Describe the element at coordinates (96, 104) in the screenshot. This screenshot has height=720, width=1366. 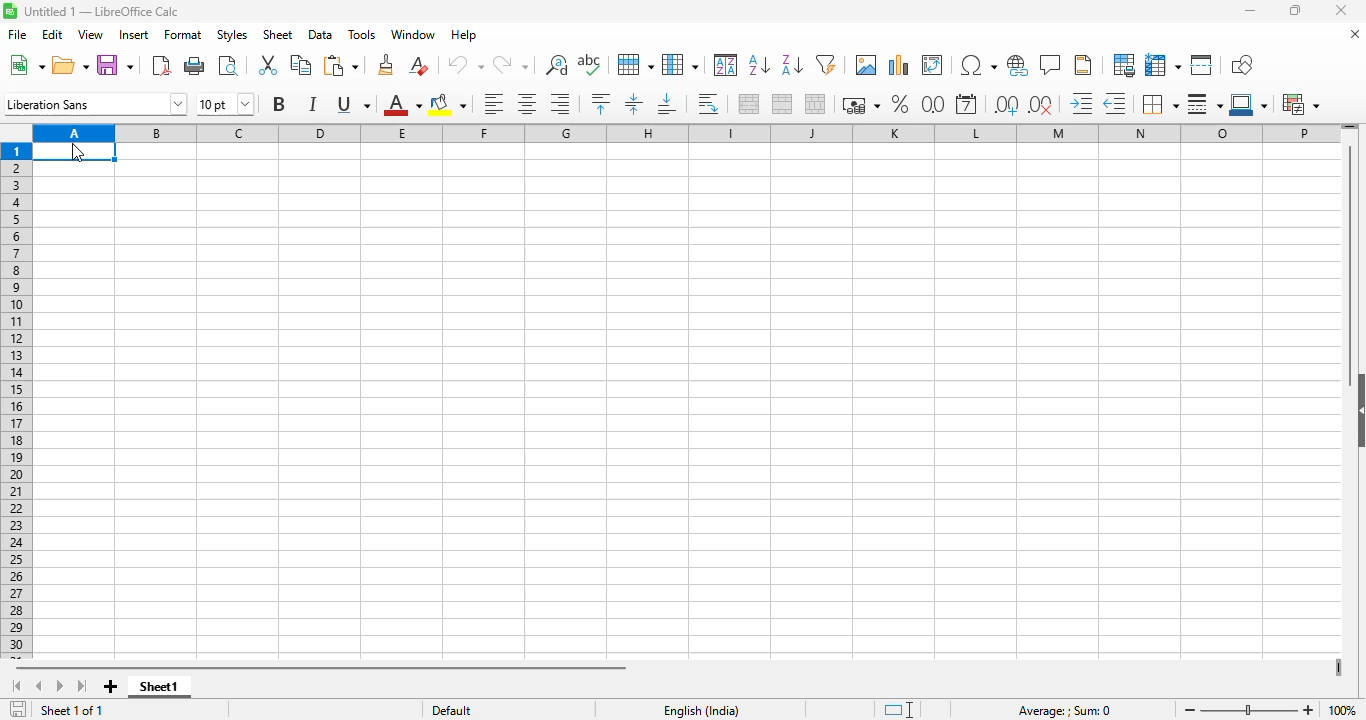
I see `font name` at that location.